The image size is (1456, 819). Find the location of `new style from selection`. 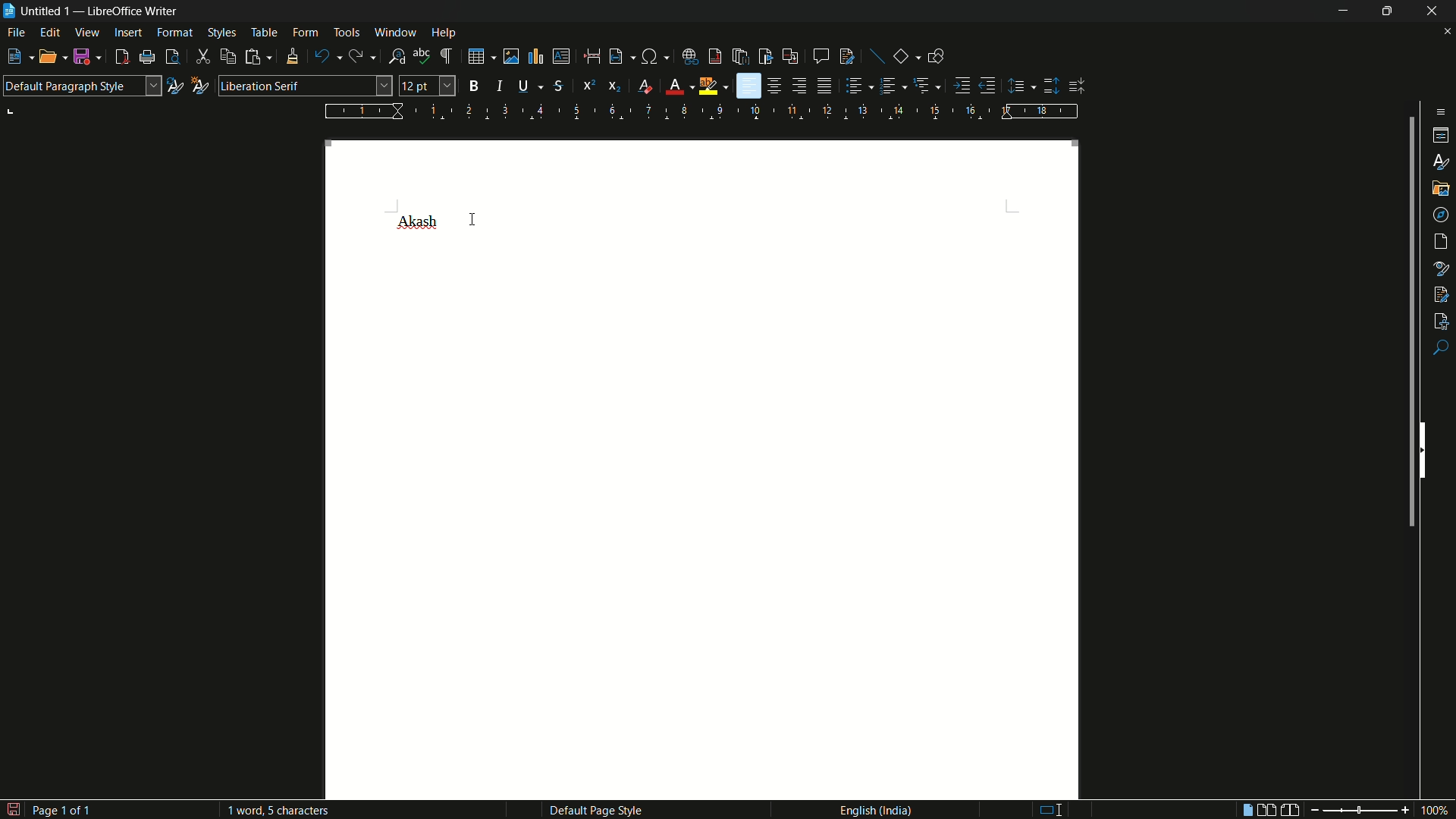

new style from selection is located at coordinates (198, 84).